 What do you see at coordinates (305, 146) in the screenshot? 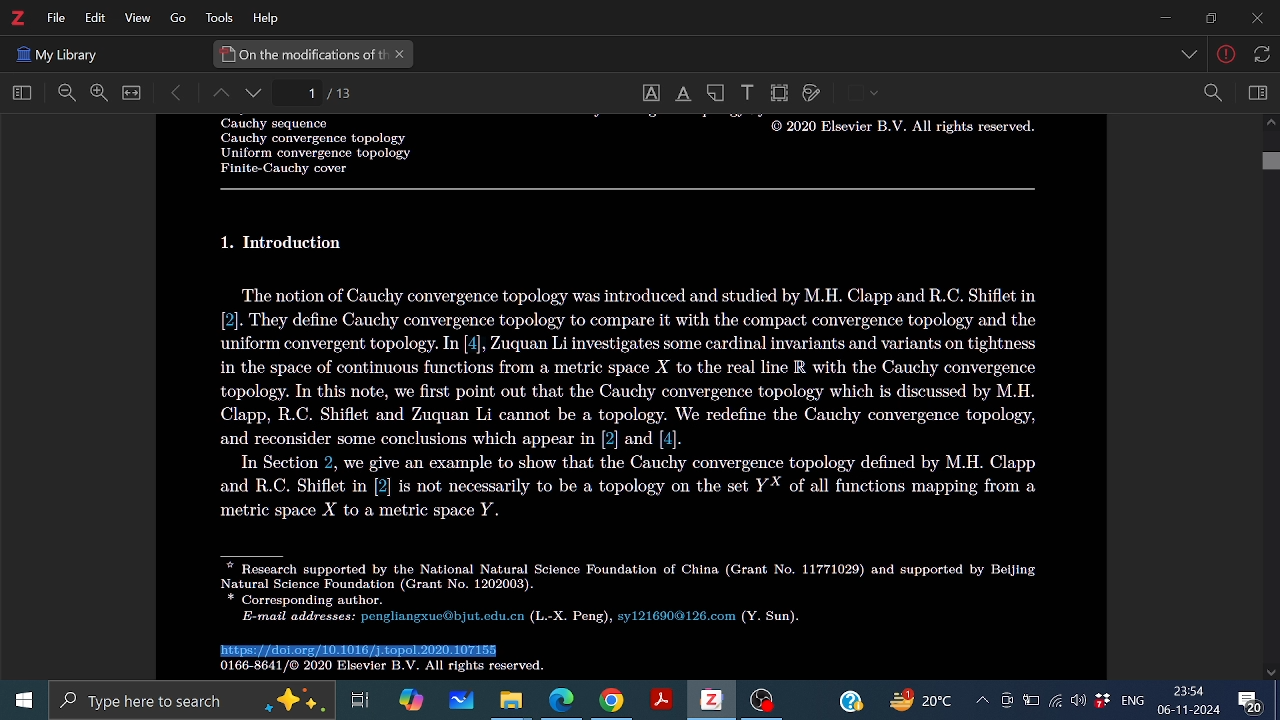
I see `` at bounding box center [305, 146].